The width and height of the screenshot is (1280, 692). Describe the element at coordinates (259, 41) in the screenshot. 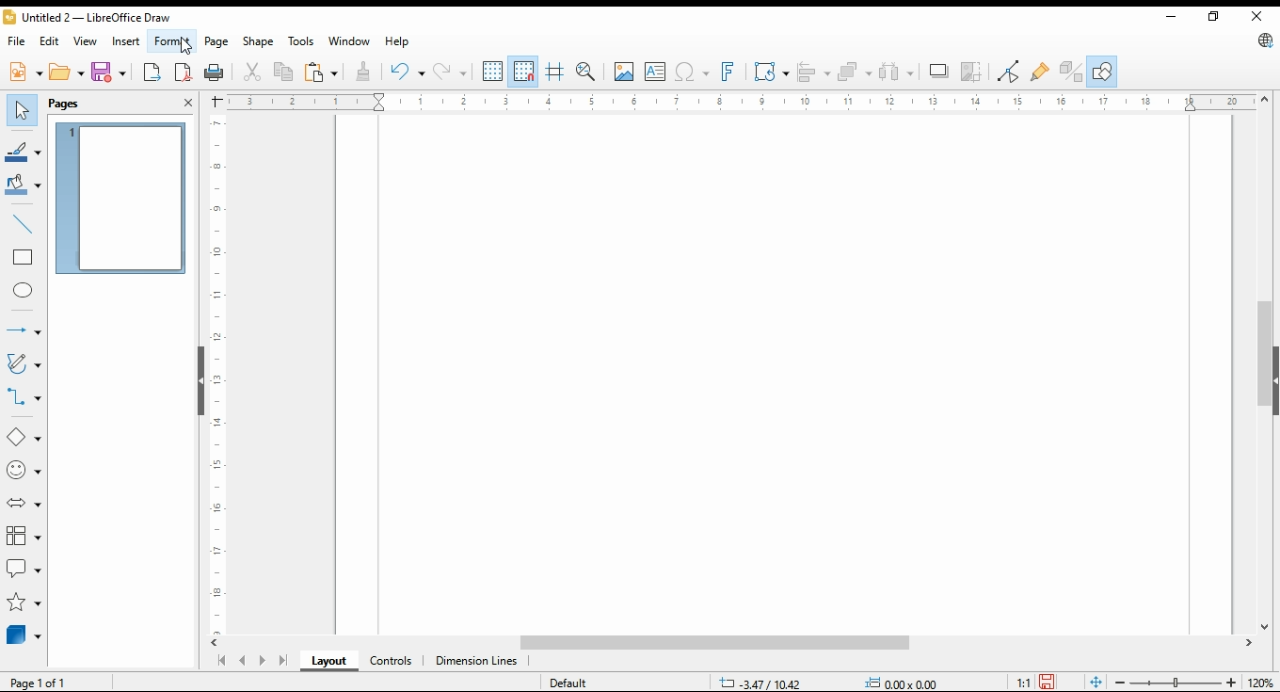

I see `shape` at that location.